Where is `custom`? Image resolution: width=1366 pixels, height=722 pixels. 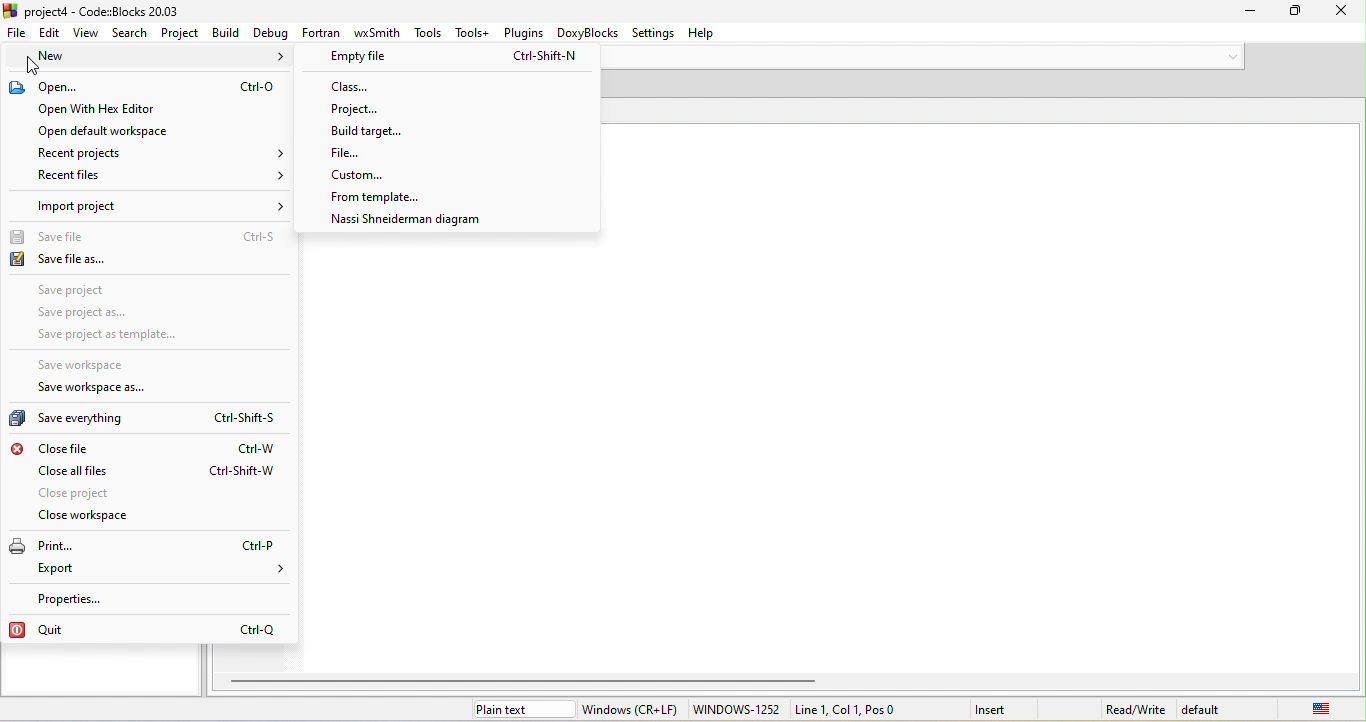 custom is located at coordinates (376, 176).